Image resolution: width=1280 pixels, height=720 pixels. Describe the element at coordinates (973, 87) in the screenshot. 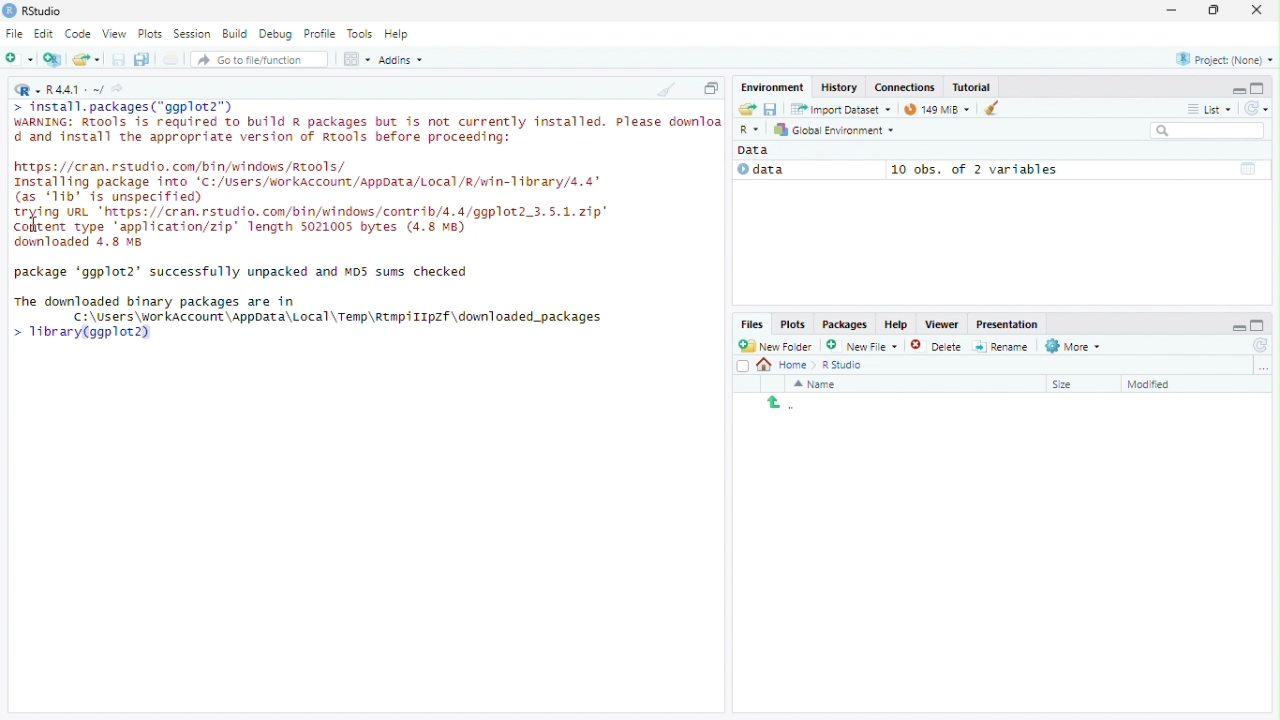

I see `Tutorial` at that location.